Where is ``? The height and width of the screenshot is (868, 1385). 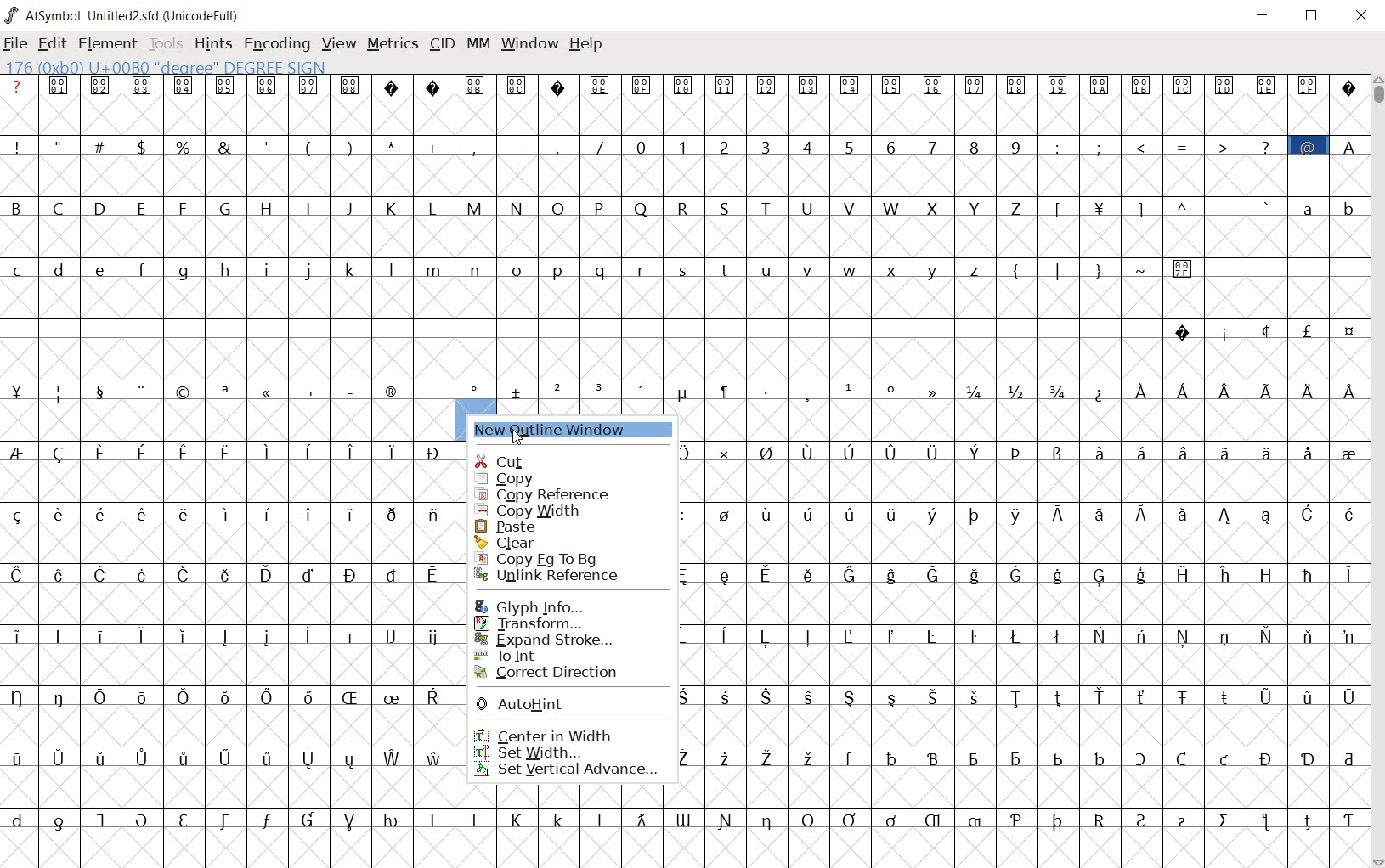  is located at coordinates (229, 511).